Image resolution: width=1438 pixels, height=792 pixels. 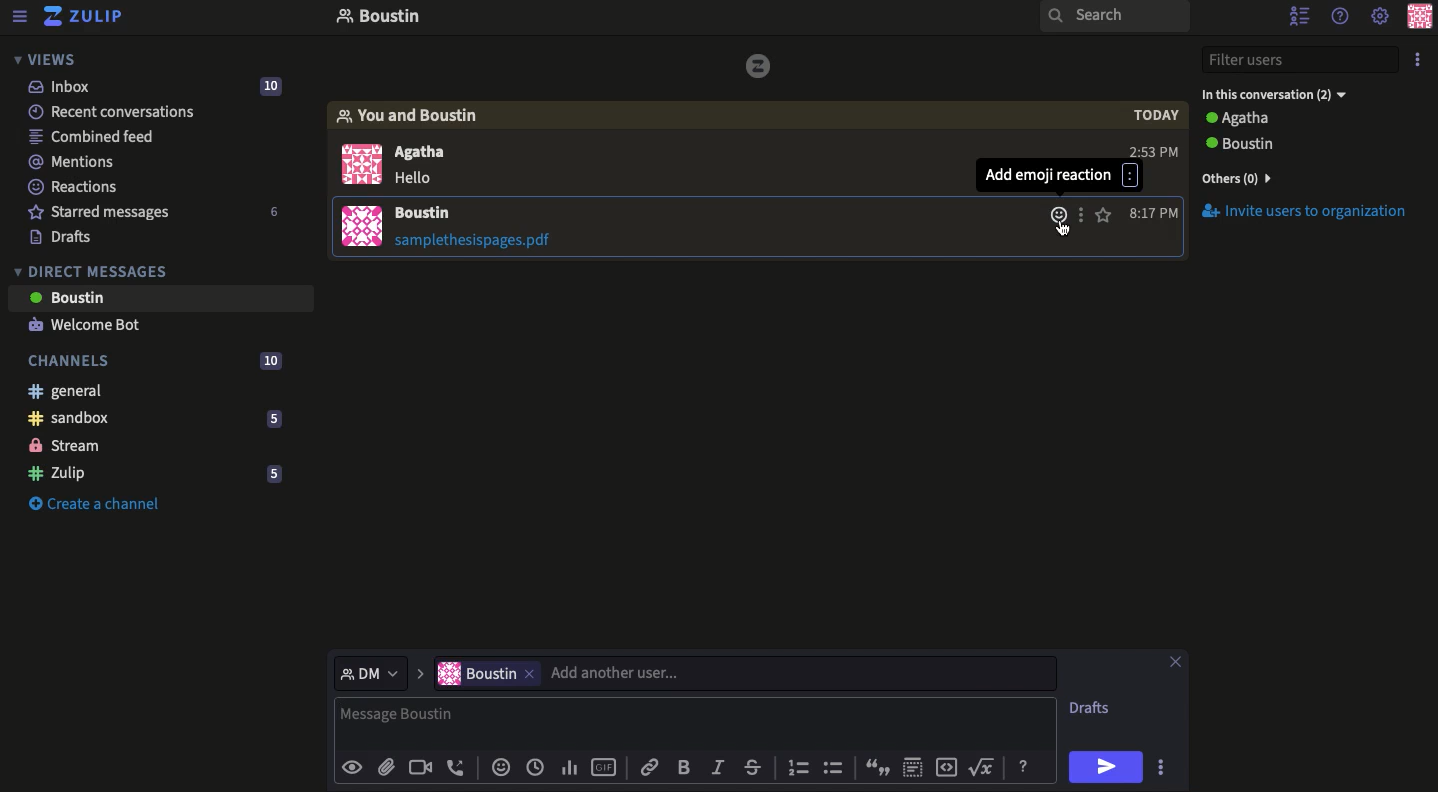 What do you see at coordinates (803, 673) in the screenshot?
I see `add another user` at bounding box center [803, 673].